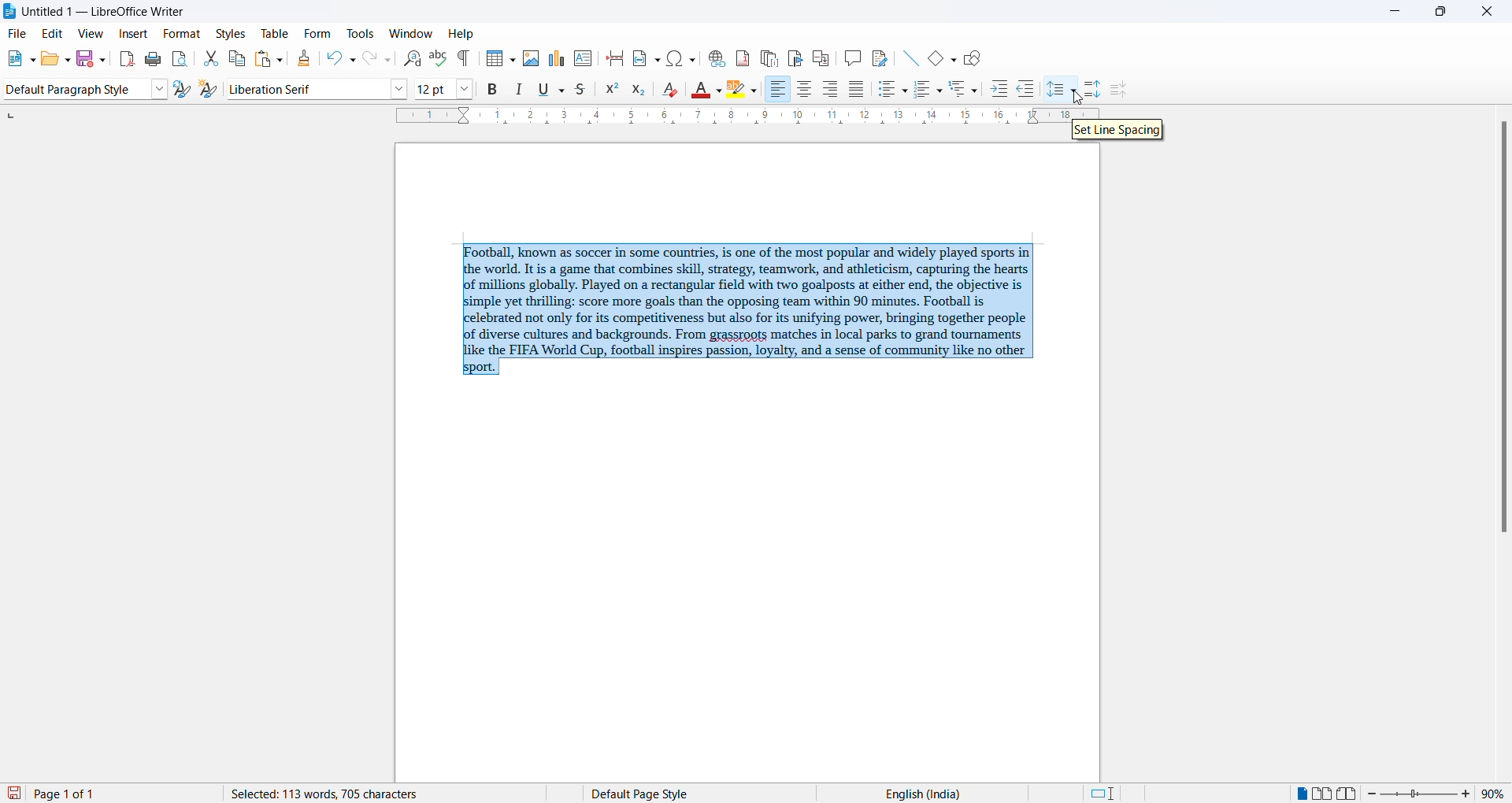  What do you see at coordinates (492, 58) in the screenshot?
I see `insert table` at bounding box center [492, 58].